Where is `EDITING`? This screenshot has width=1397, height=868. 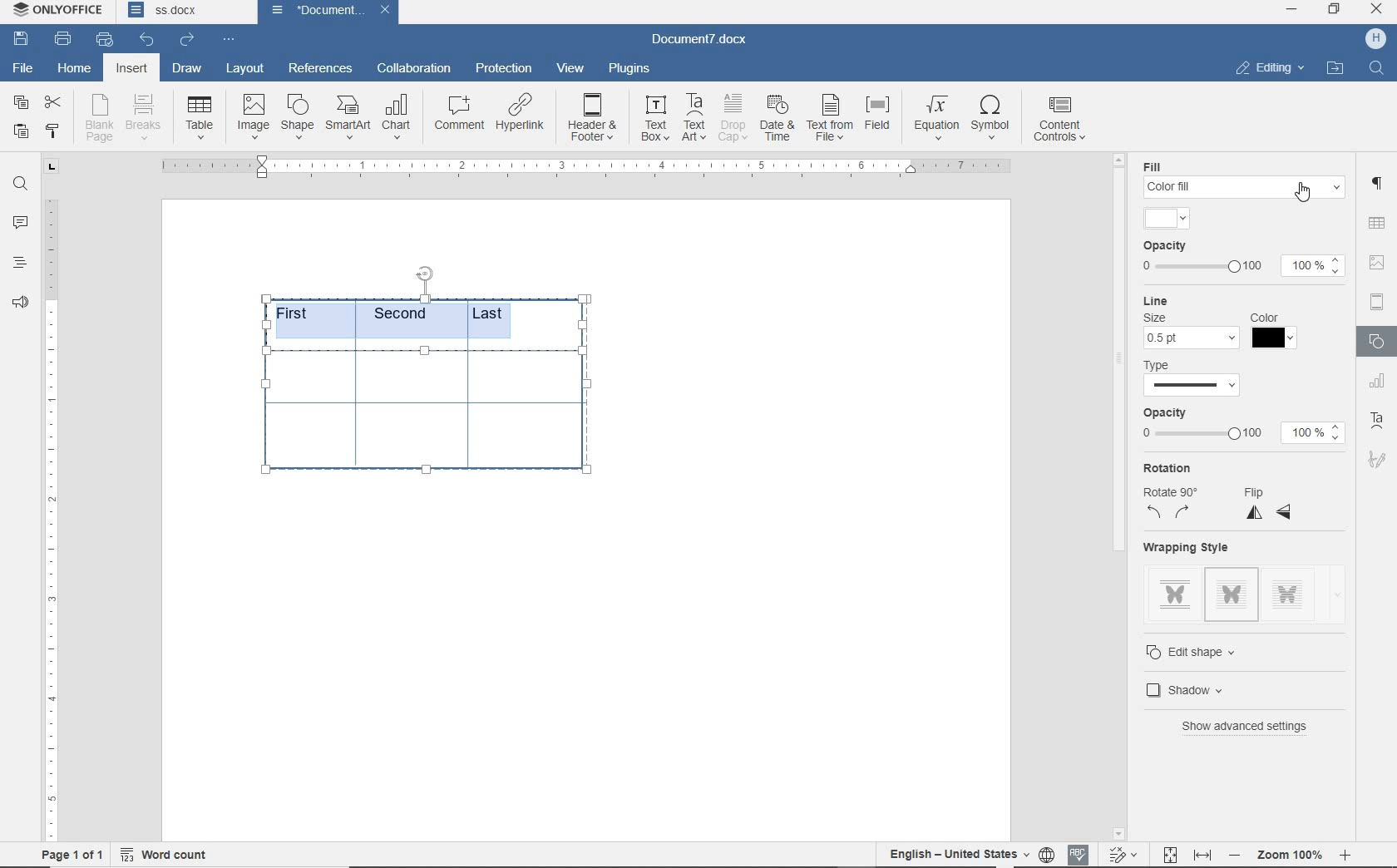
EDITING is located at coordinates (1268, 67).